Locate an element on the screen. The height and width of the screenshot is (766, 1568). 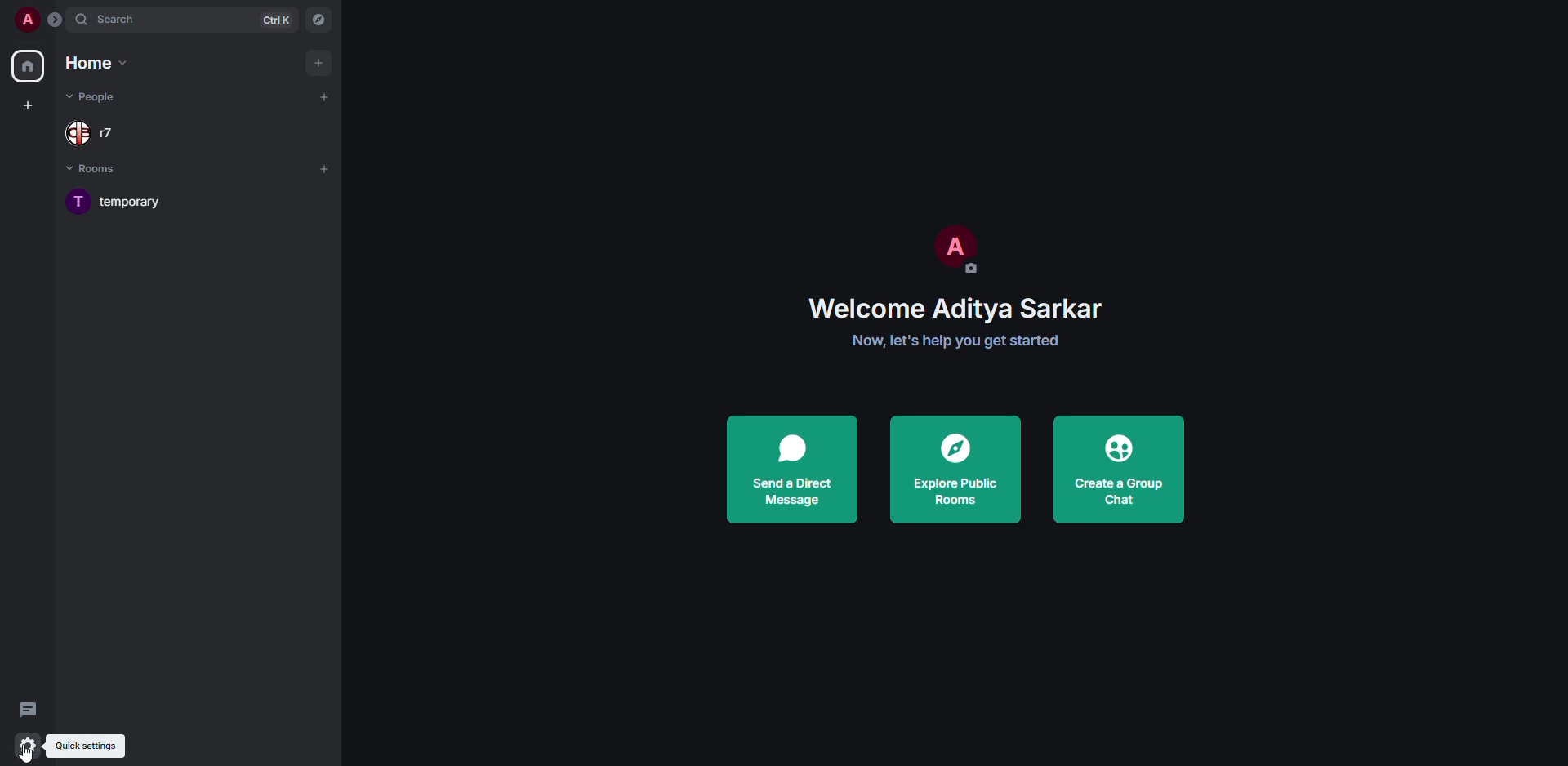
add is located at coordinates (325, 96).